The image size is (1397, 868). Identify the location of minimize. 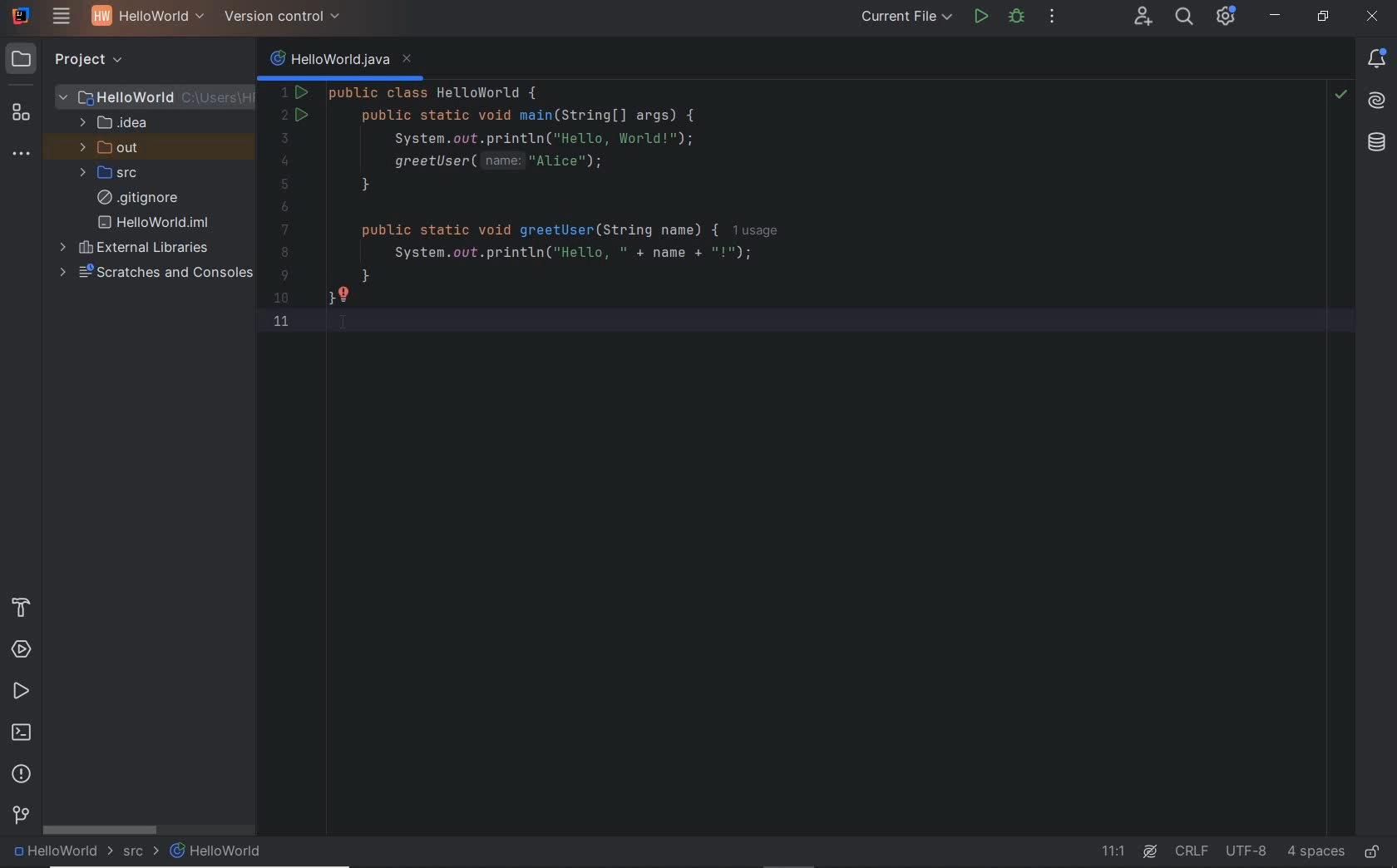
(1276, 17).